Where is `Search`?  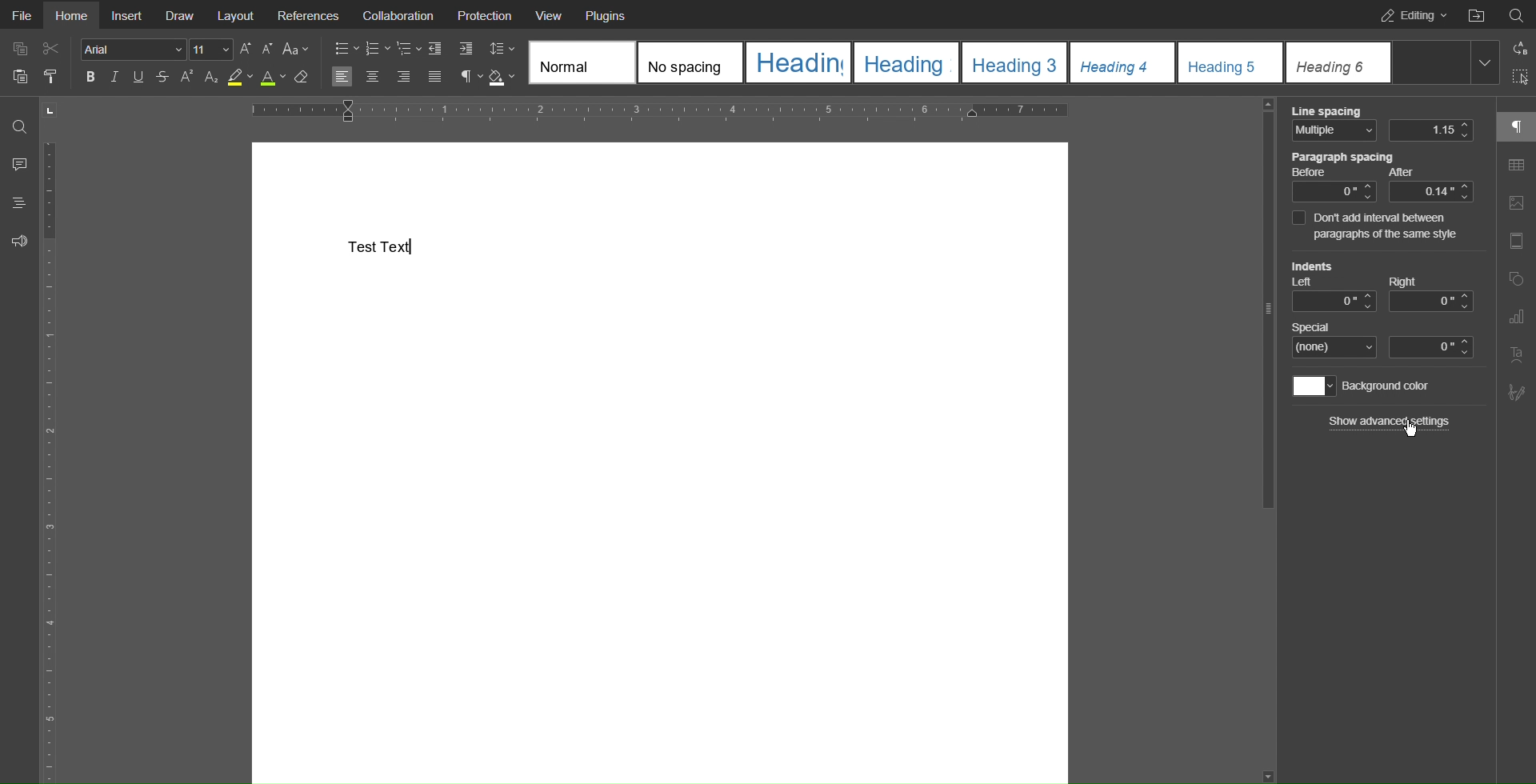 Search is located at coordinates (1516, 13).